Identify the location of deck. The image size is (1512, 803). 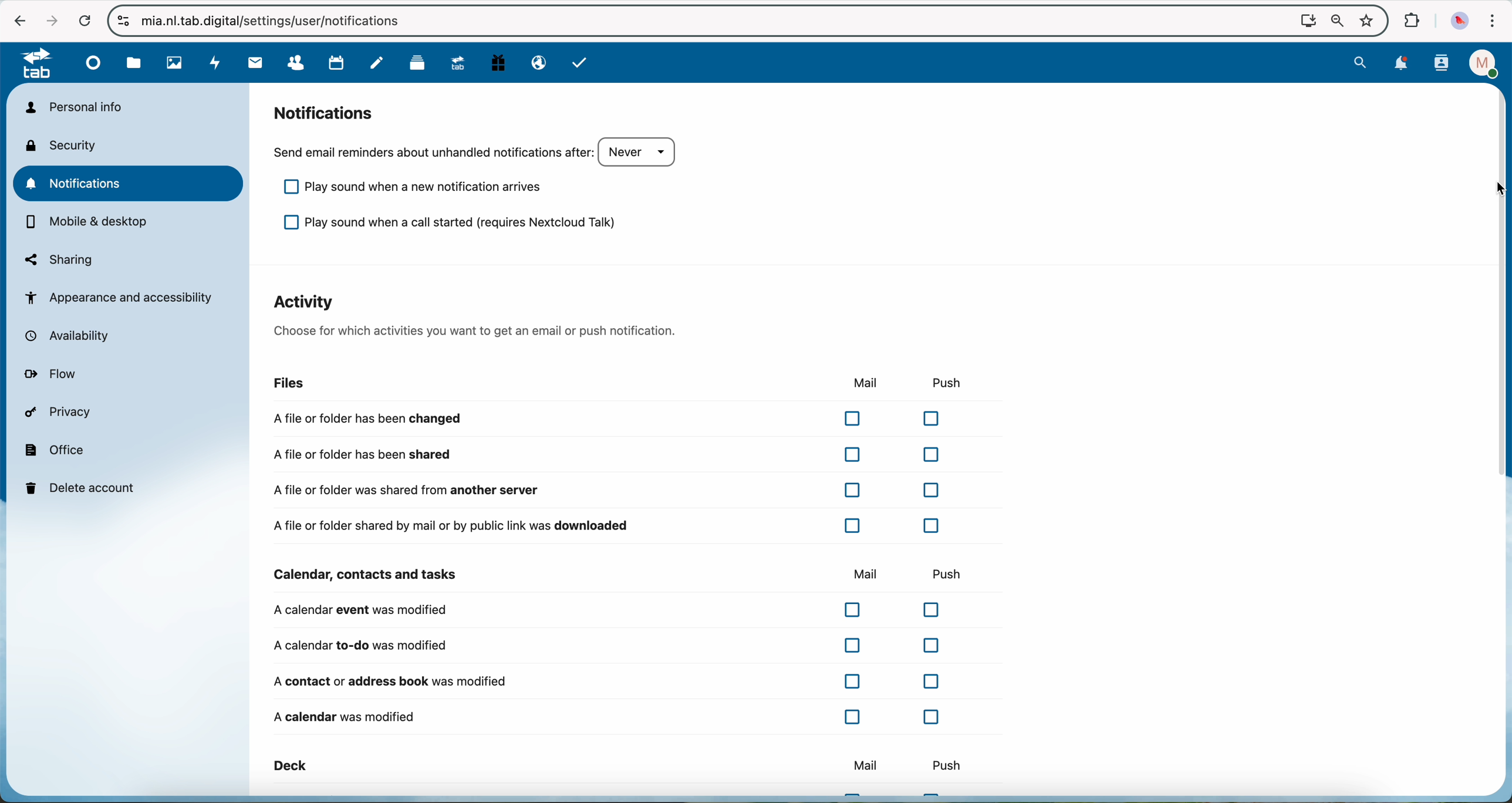
(290, 765).